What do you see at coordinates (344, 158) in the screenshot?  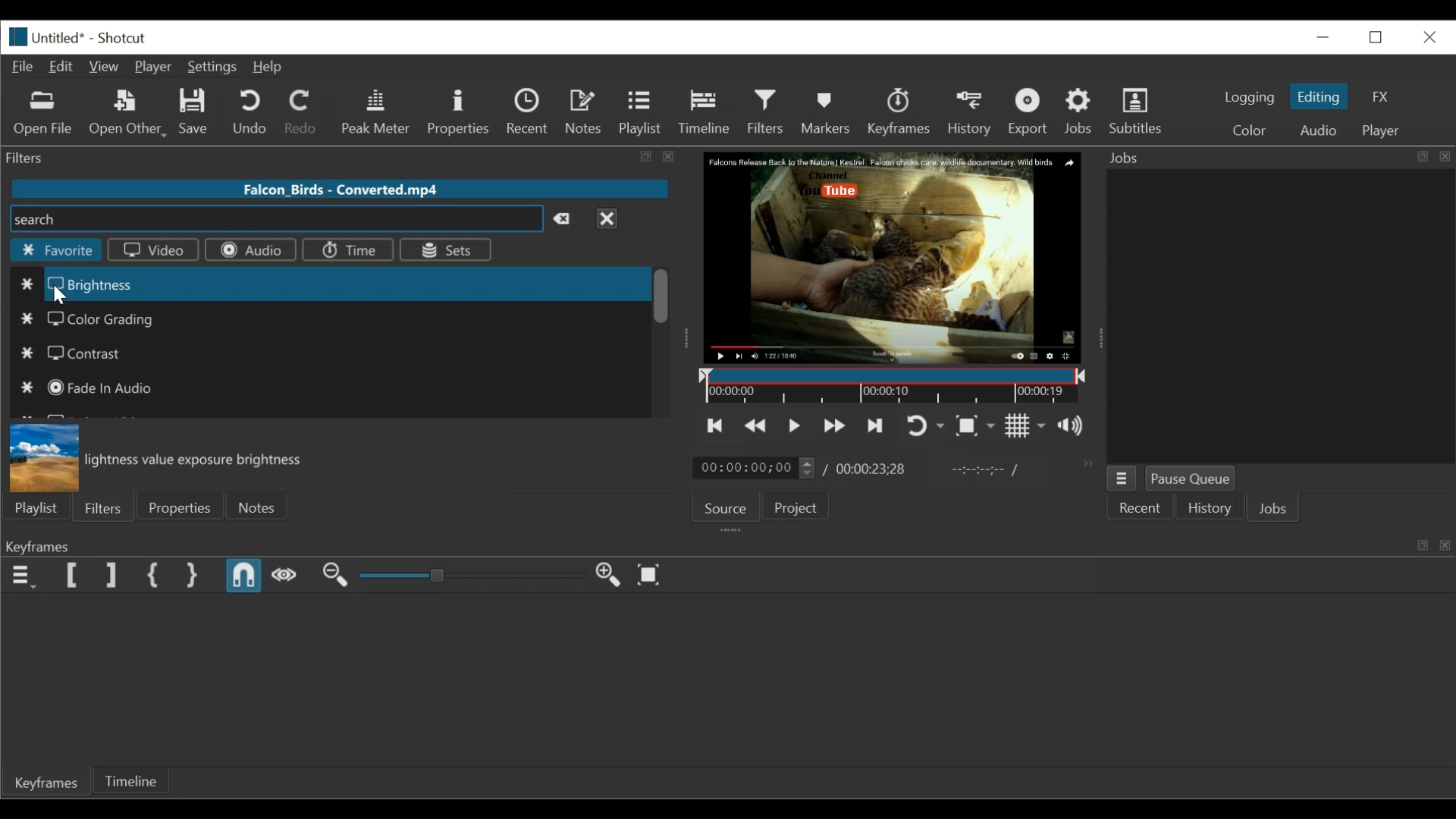 I see `Filters Panel` at bounding box center [344, 158].